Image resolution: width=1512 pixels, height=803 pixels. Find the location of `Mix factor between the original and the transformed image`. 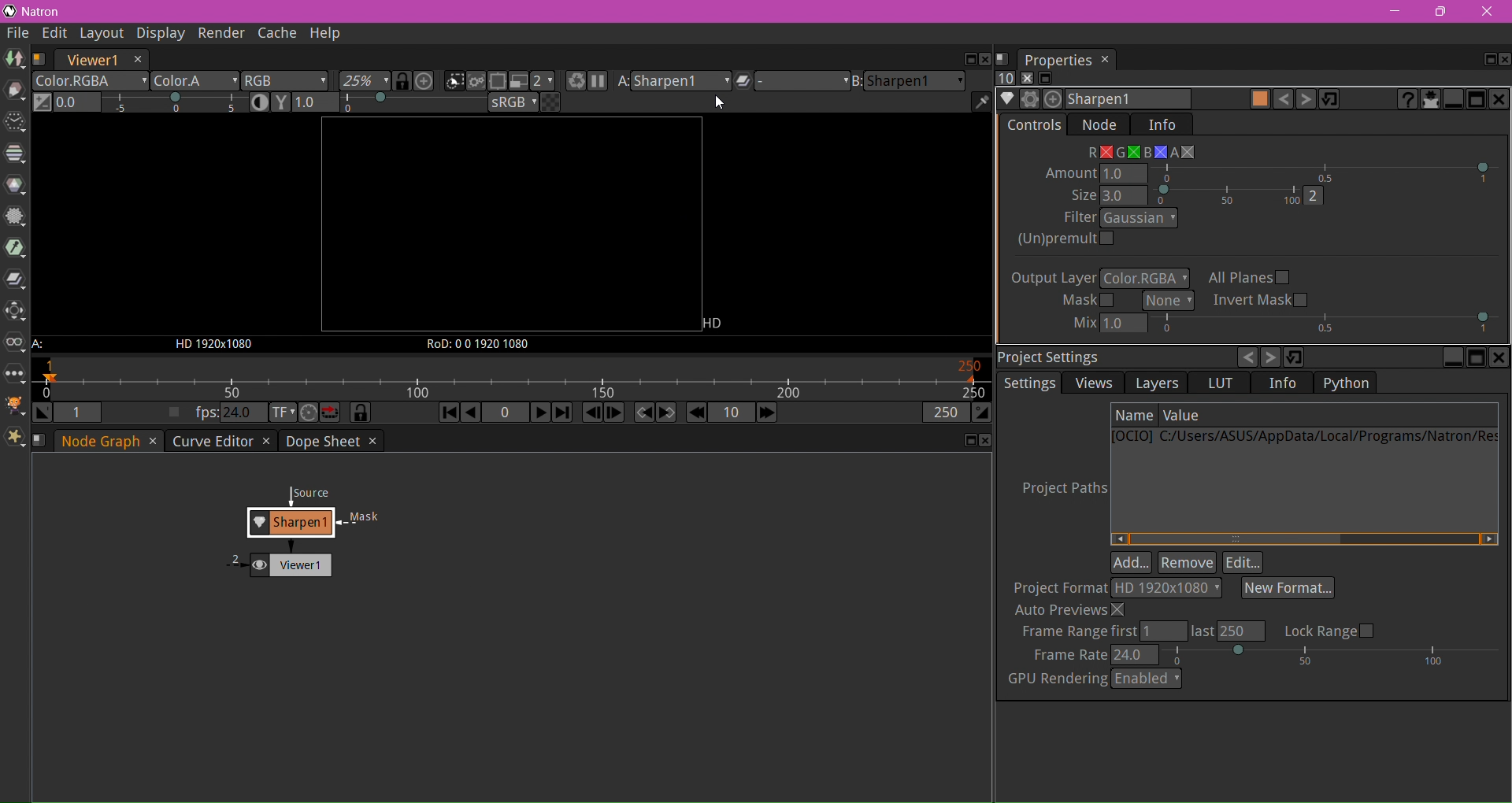

Mix factor between the original and the transformed image is located at coordinates (1282, 325).